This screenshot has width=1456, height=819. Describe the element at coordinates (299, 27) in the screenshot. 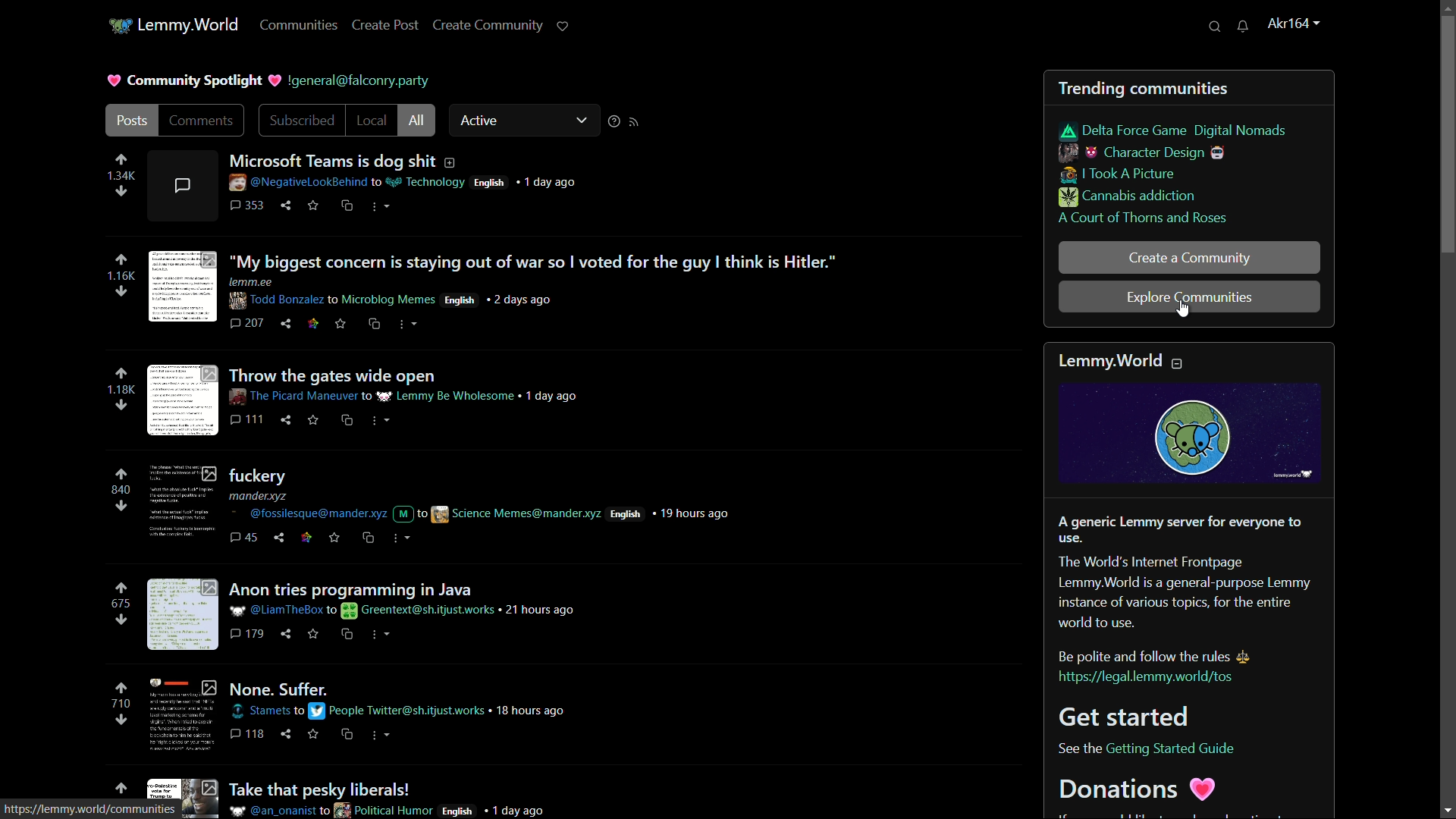

I see `communities` at that location.